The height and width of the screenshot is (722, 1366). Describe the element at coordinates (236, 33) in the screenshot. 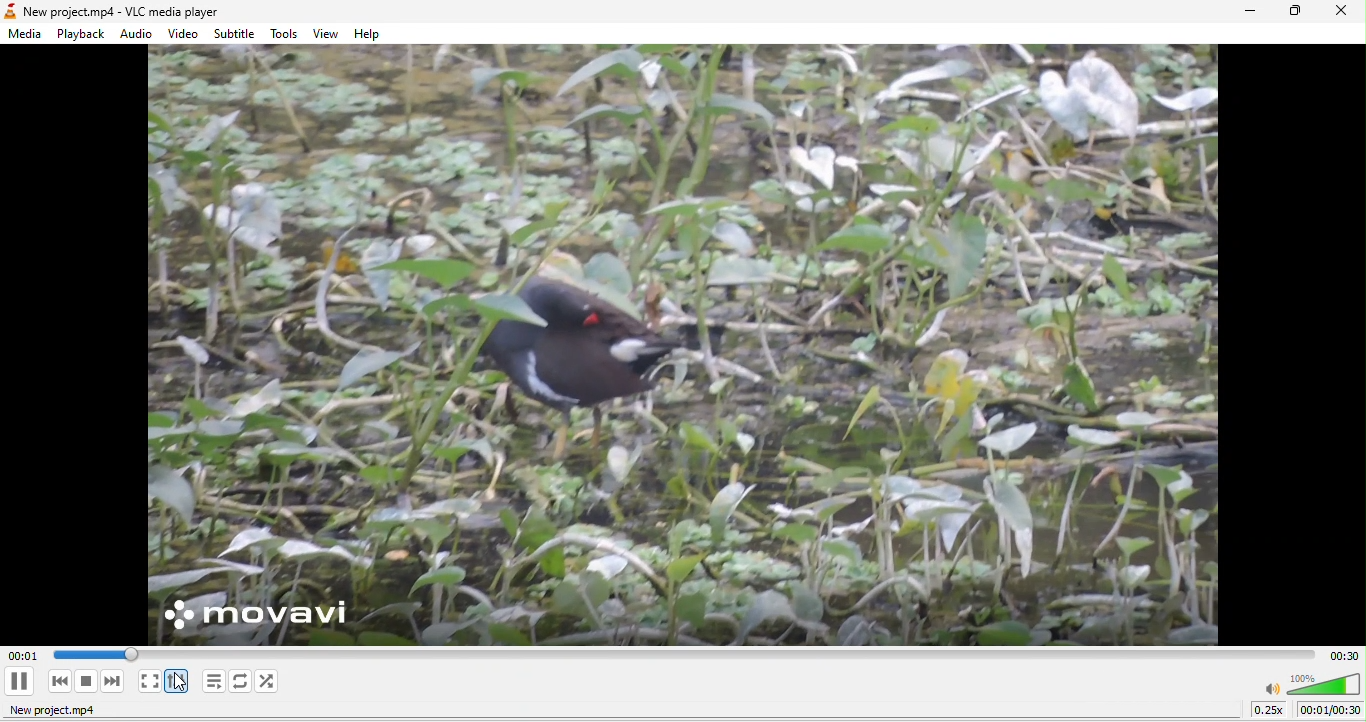

I see `subtitle` at that location.